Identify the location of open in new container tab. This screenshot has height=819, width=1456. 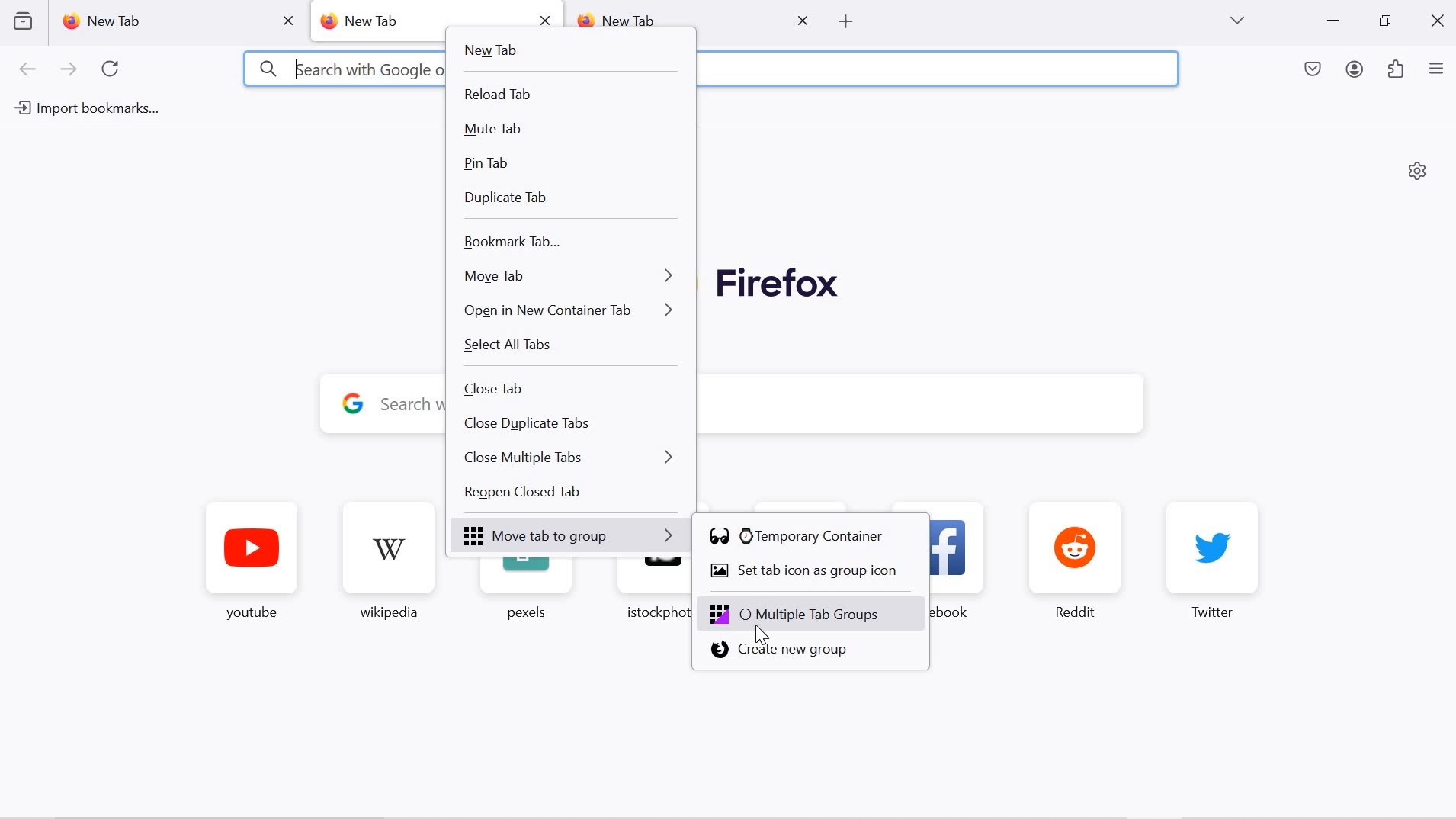
(572, 307).